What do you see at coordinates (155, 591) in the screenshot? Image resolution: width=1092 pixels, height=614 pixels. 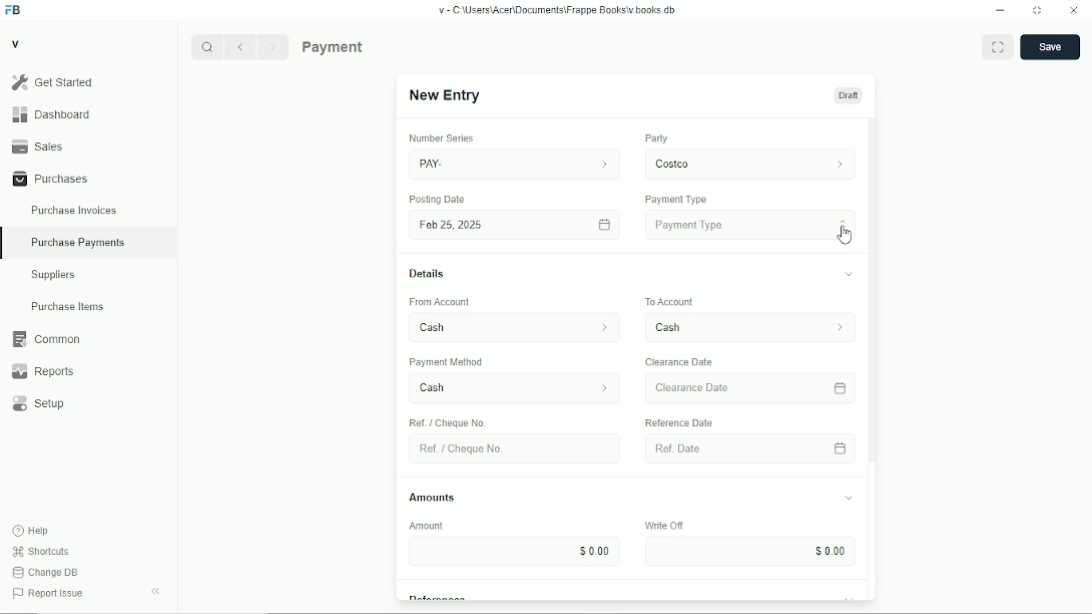 I see `Collapse` at bounding box center [155, 591].